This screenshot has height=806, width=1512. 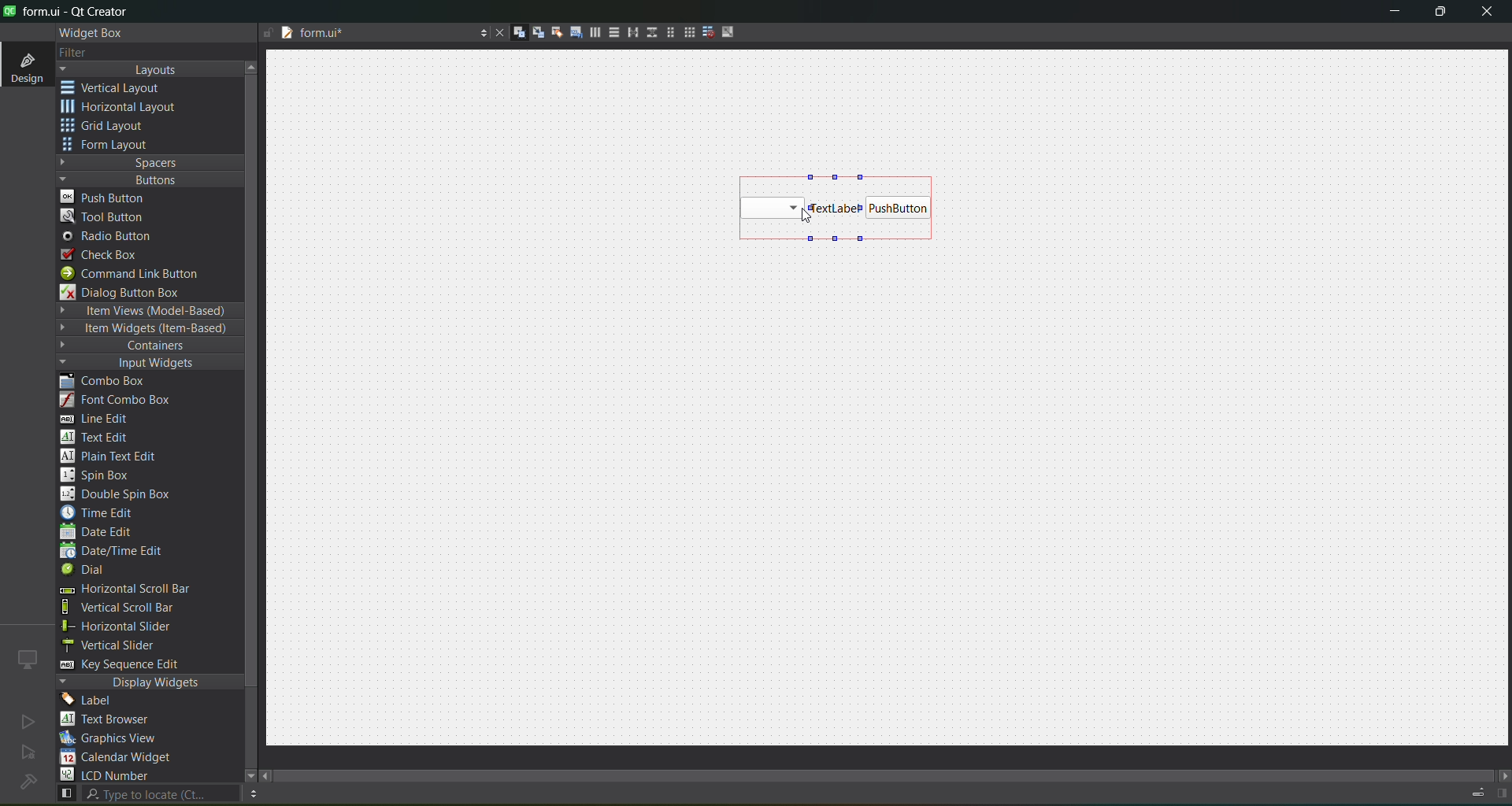 What do you see at coordinates (131, 665) in the screenshot?
I see `key sequence edit` at bounding box center [131, 665].